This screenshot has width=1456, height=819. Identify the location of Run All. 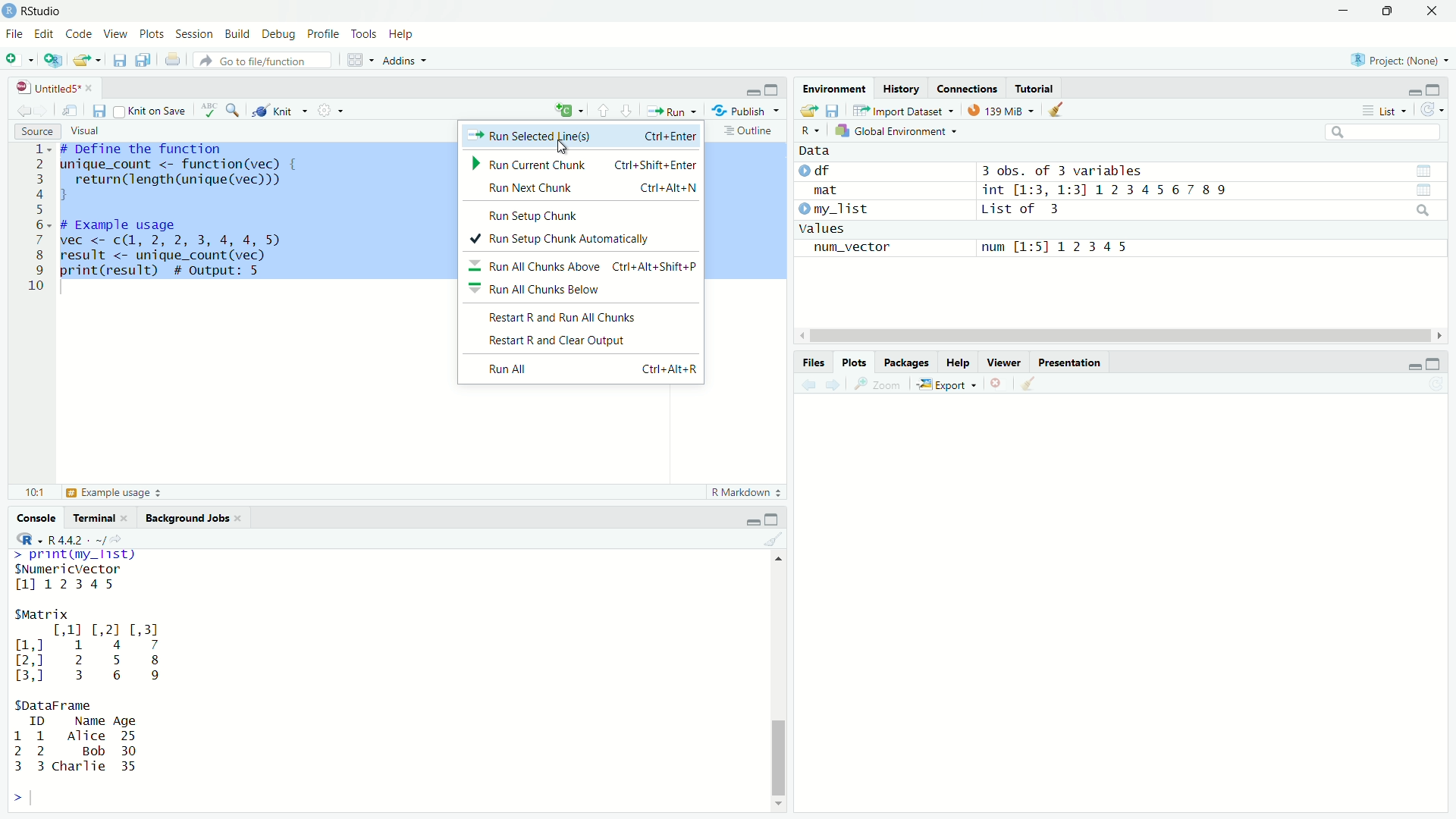
(510, 369).